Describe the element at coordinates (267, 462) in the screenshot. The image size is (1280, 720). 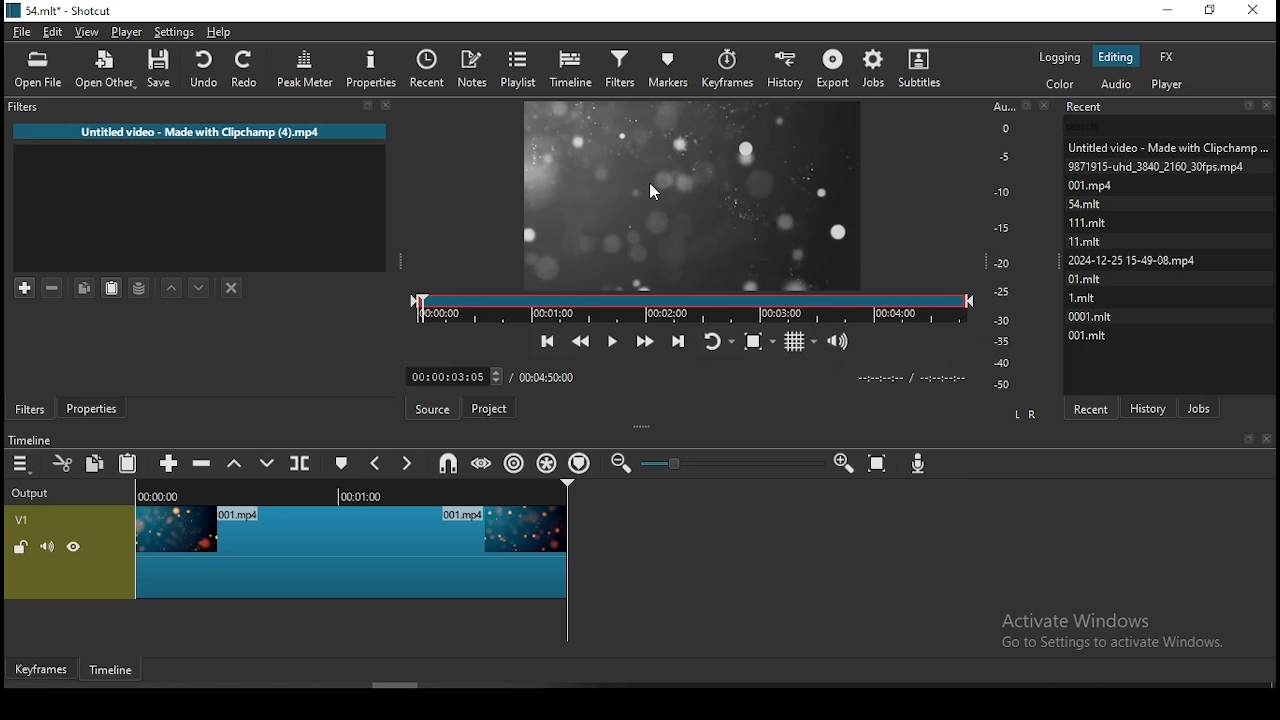
I see `overwrite` at that location.